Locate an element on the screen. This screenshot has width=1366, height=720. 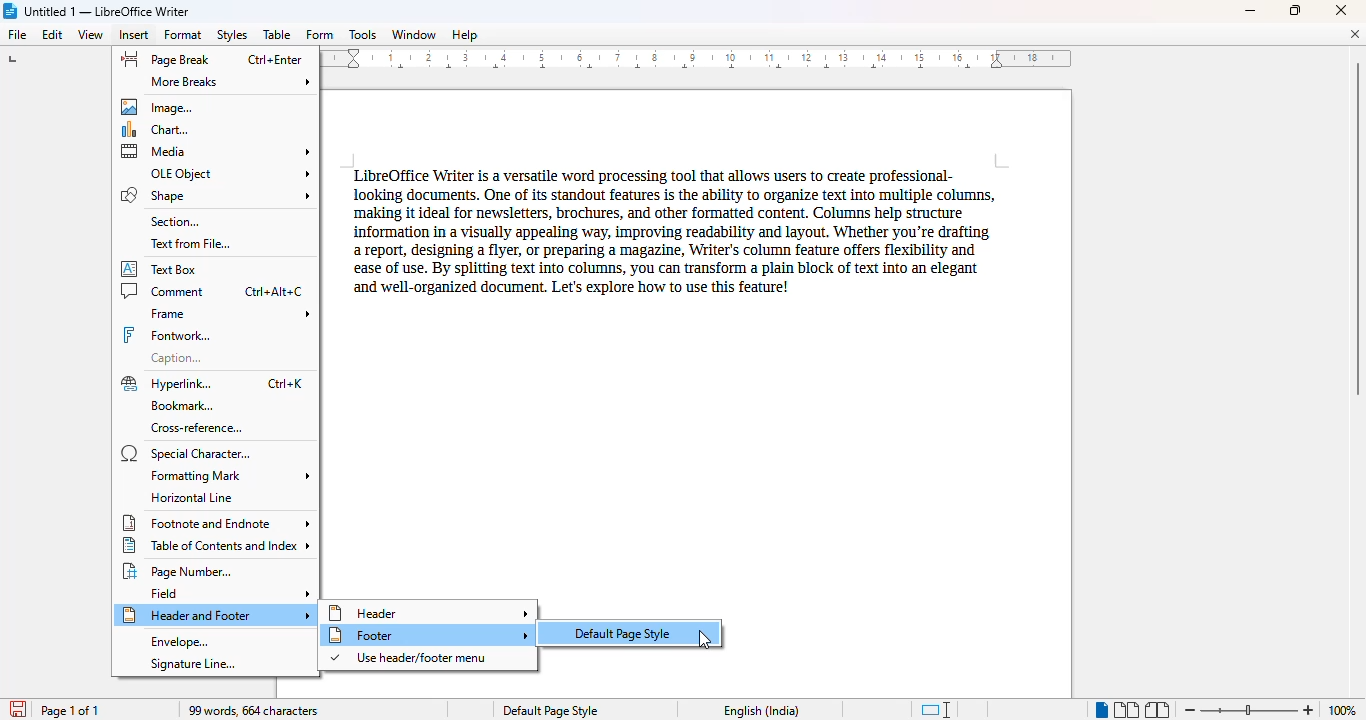
ruler is located at coordinates (700, 60).